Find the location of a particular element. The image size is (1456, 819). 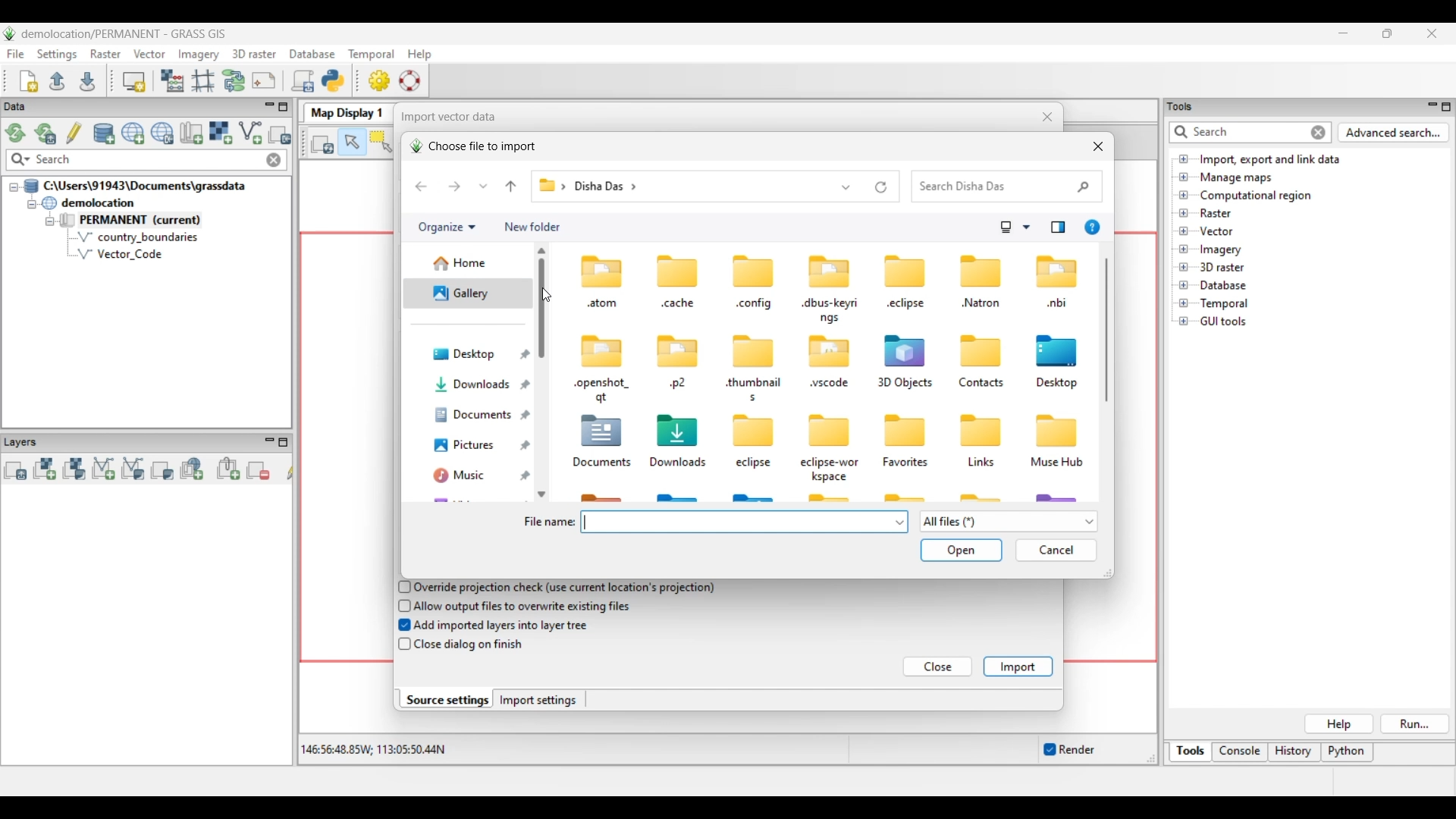

Click to open Manage maps is located at coordinates (1184, 177).